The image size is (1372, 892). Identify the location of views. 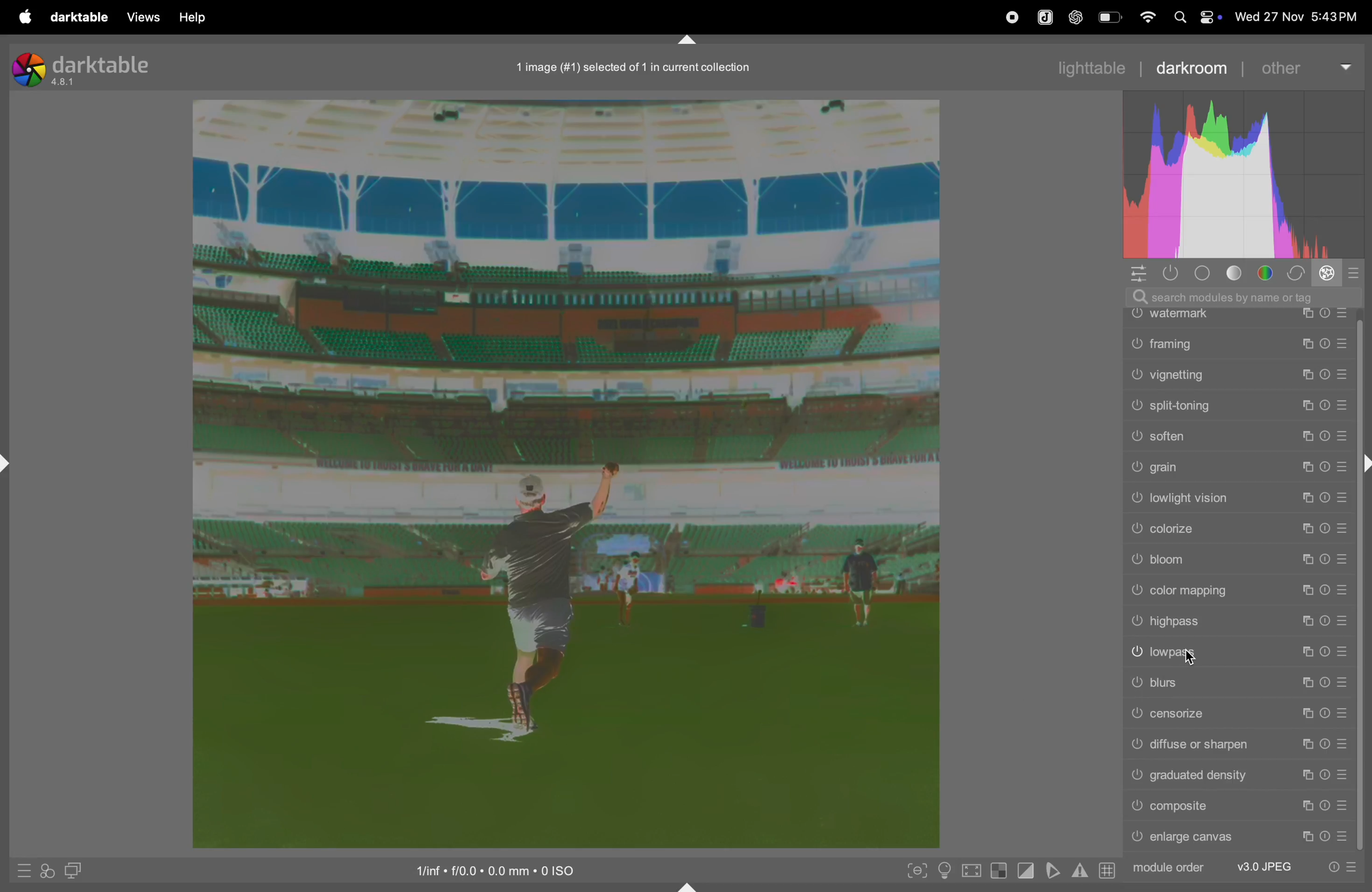
(138, 17).